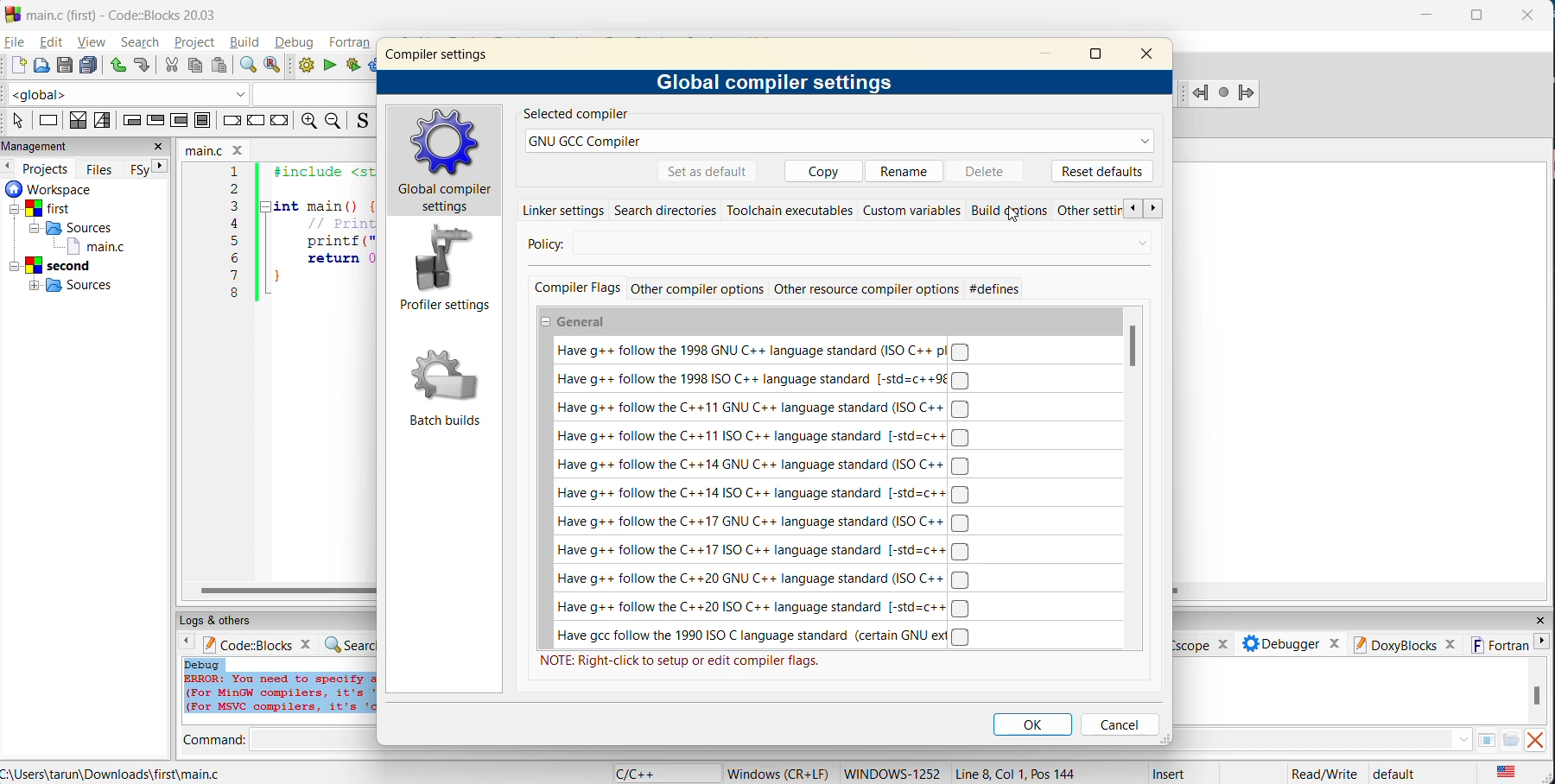  I want to click on new, so click(15, 66).